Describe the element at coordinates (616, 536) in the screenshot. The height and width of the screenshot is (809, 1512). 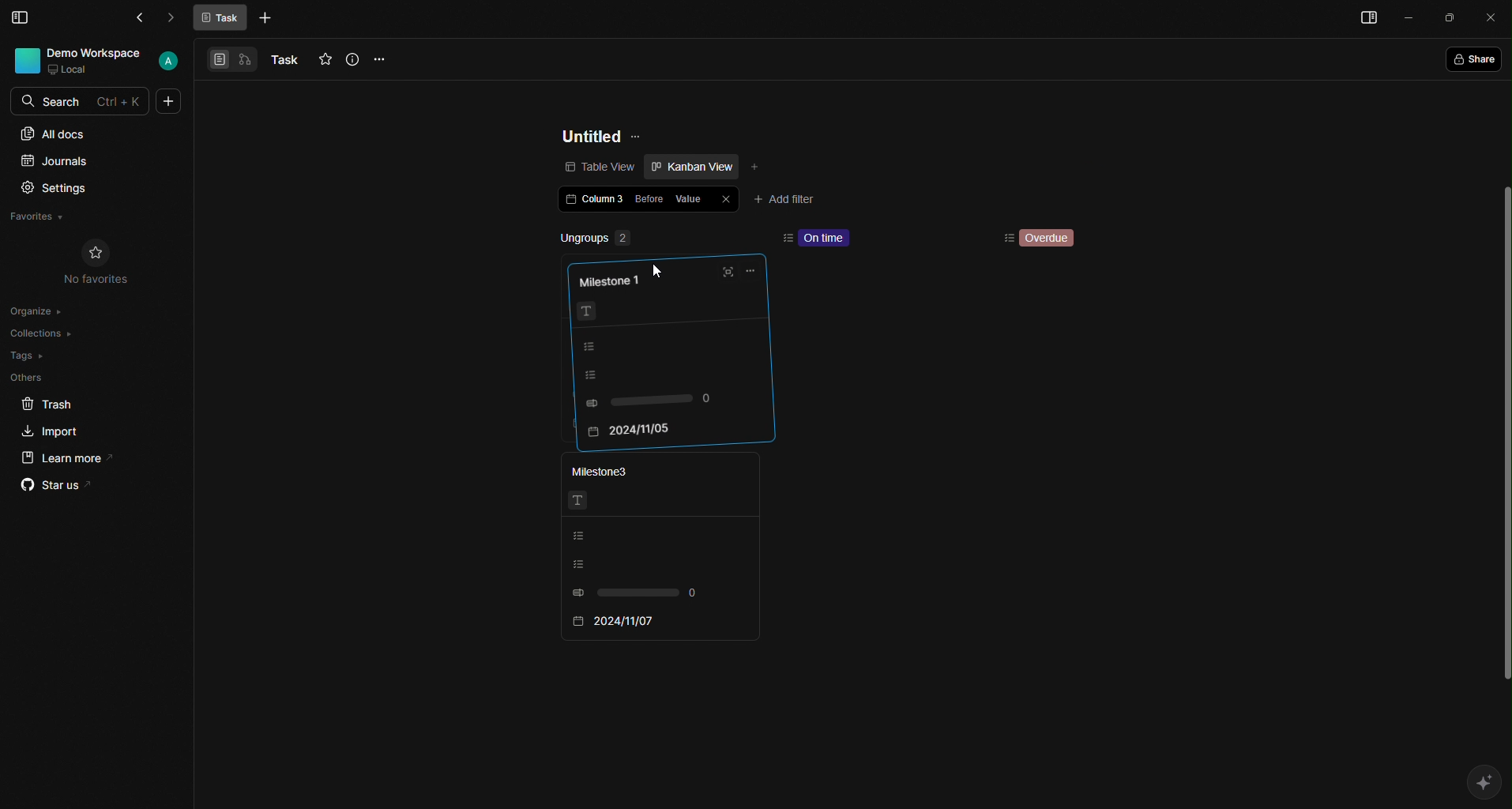
I see `Listing` at that location.